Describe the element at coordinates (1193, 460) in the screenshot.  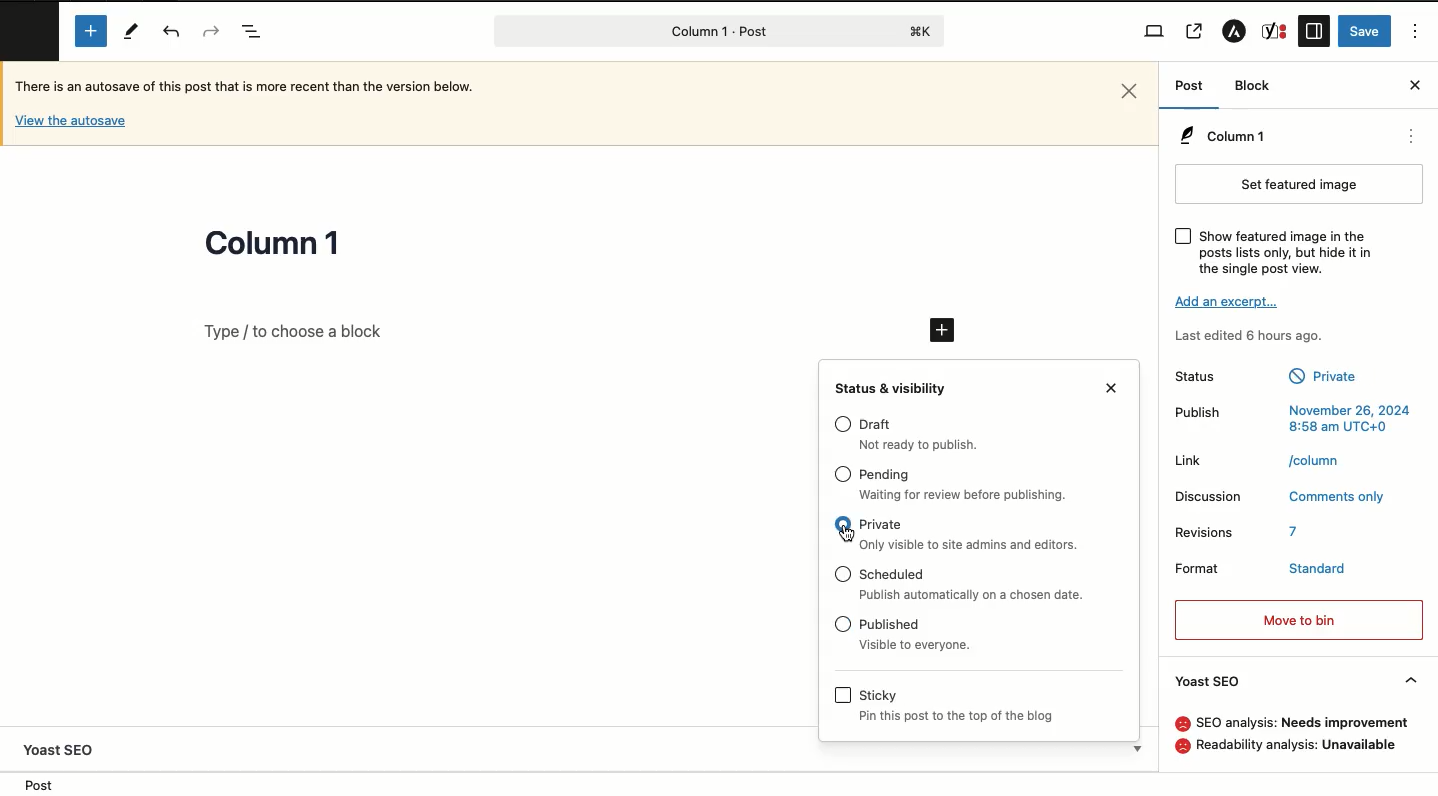
I see `Link` at that location.